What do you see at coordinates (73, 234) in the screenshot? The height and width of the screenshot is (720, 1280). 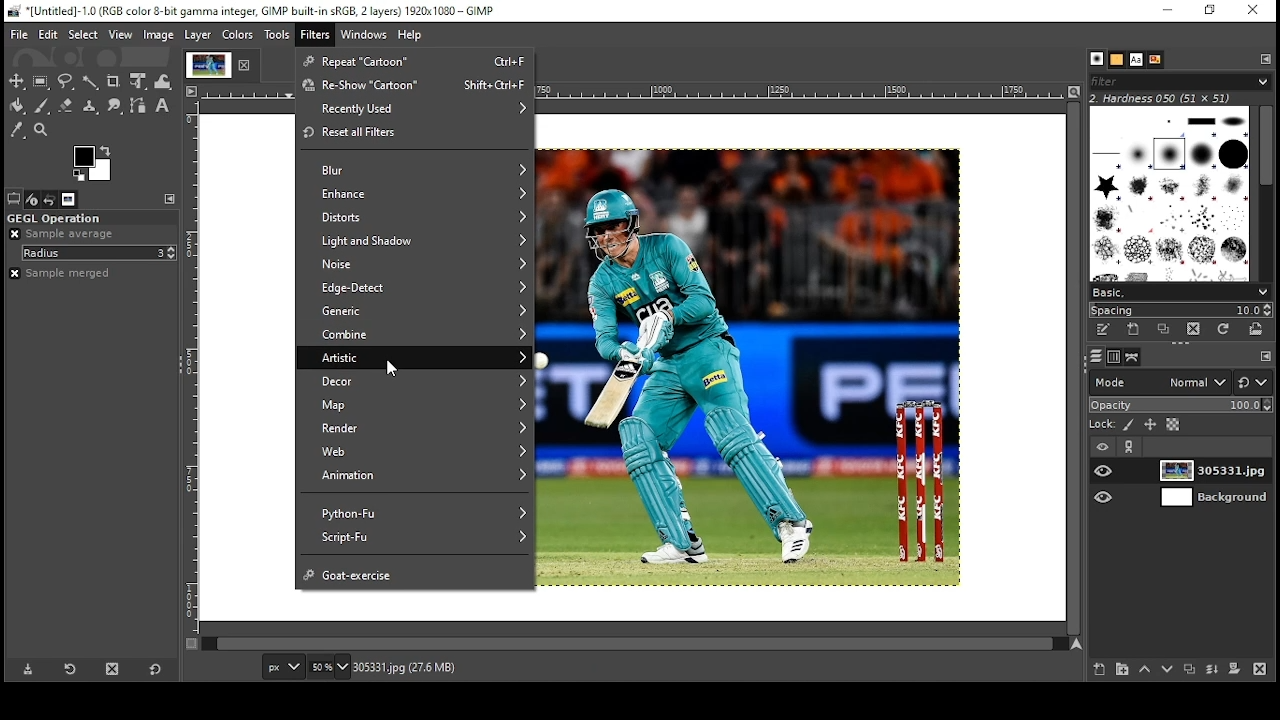 I see `sample average` at bounding box center [73, 234].